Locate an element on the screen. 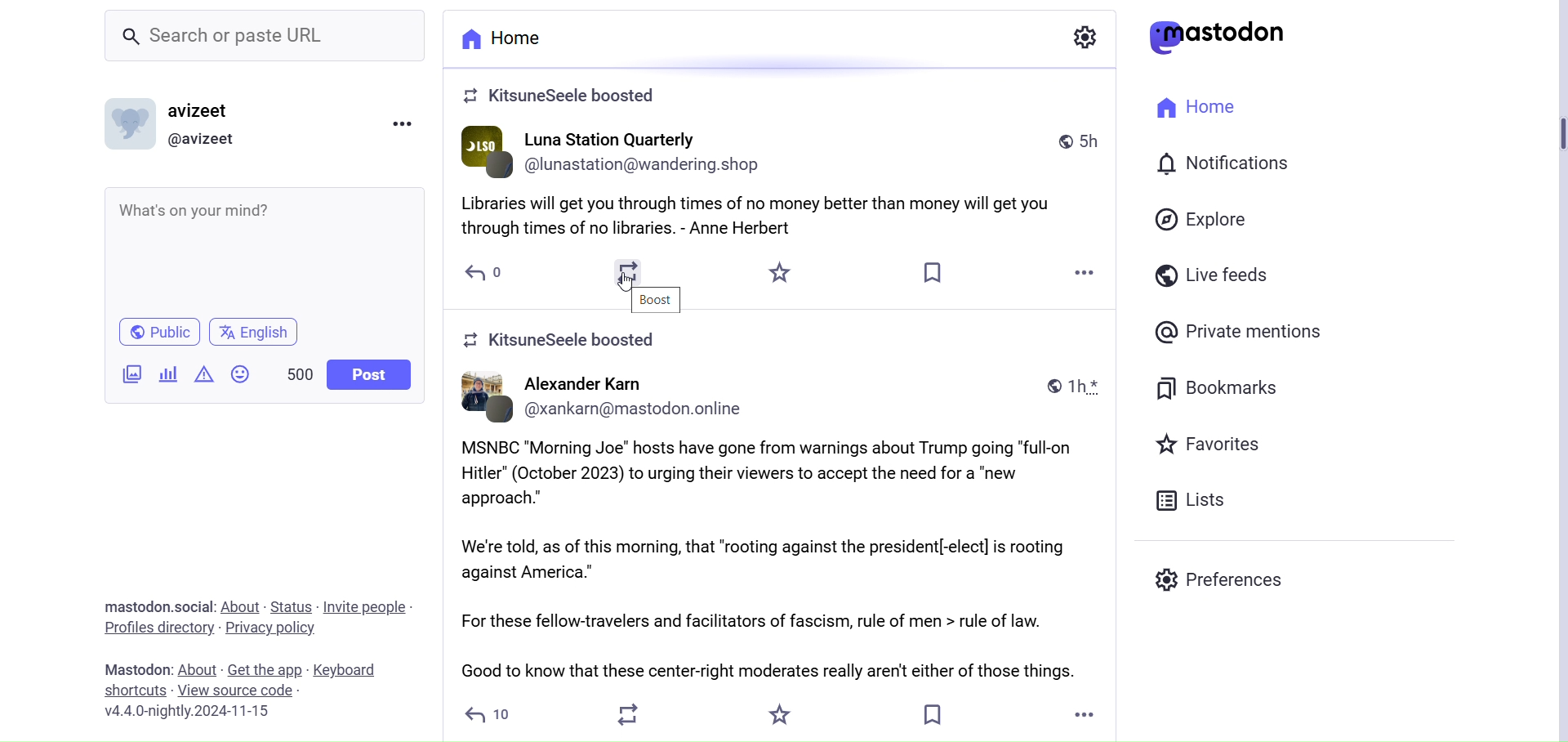 Image resolution: width=1568 pixels, height=742 pixels. Boost is located at coordinates (632, 714).